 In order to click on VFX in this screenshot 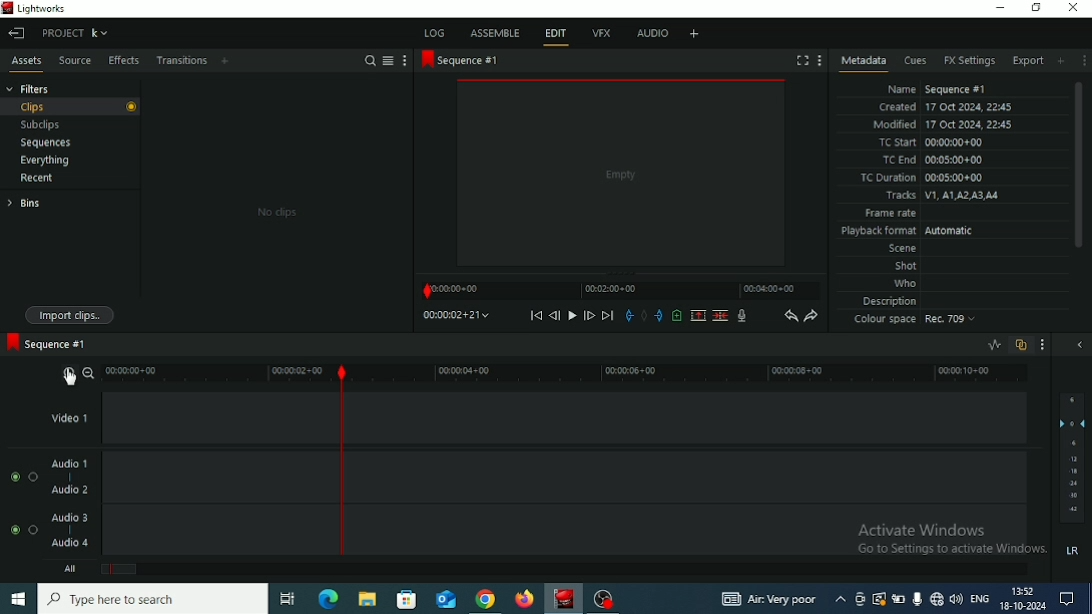, I will do `click(603, 32)`.